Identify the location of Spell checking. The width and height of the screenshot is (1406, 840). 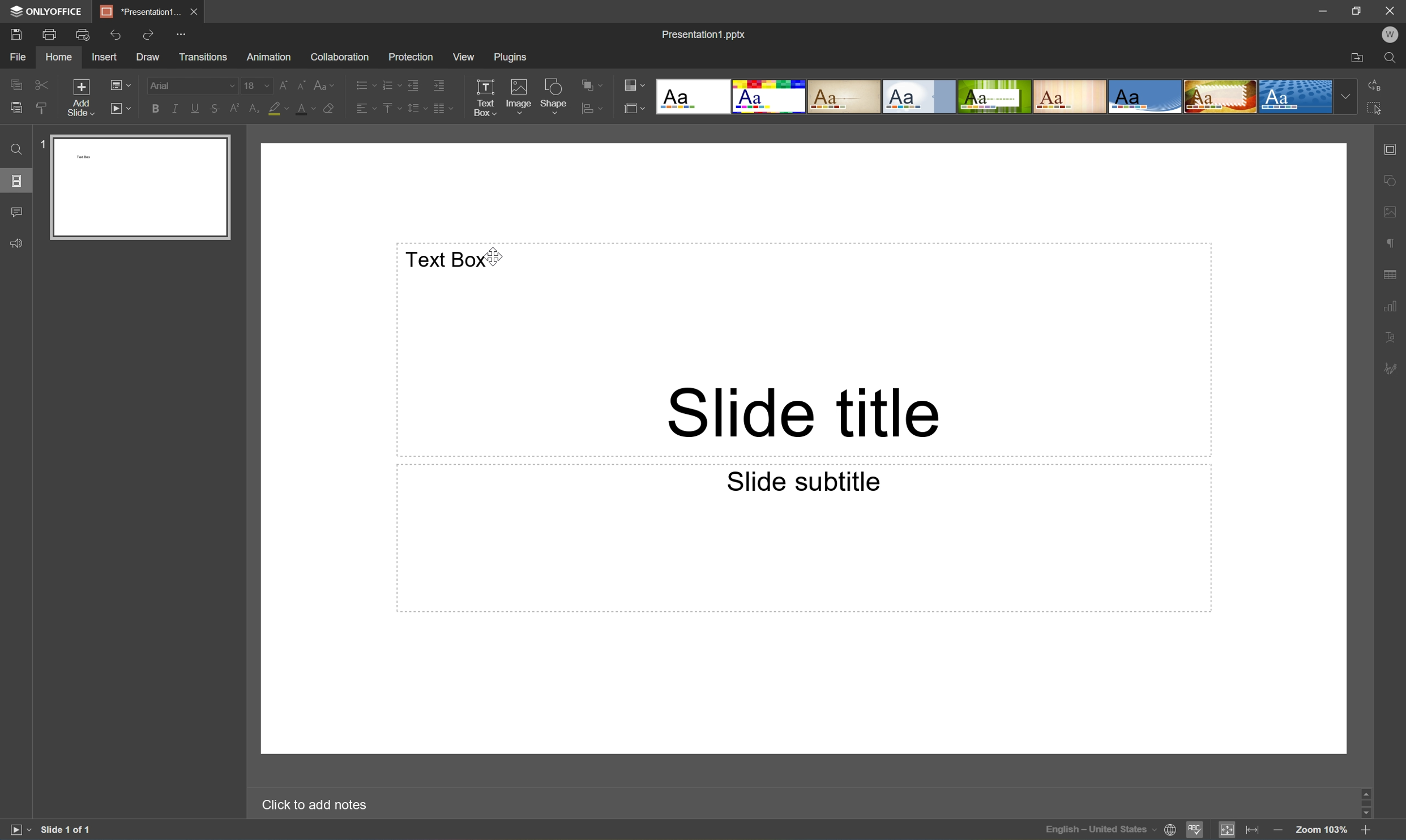
(1194, 832).